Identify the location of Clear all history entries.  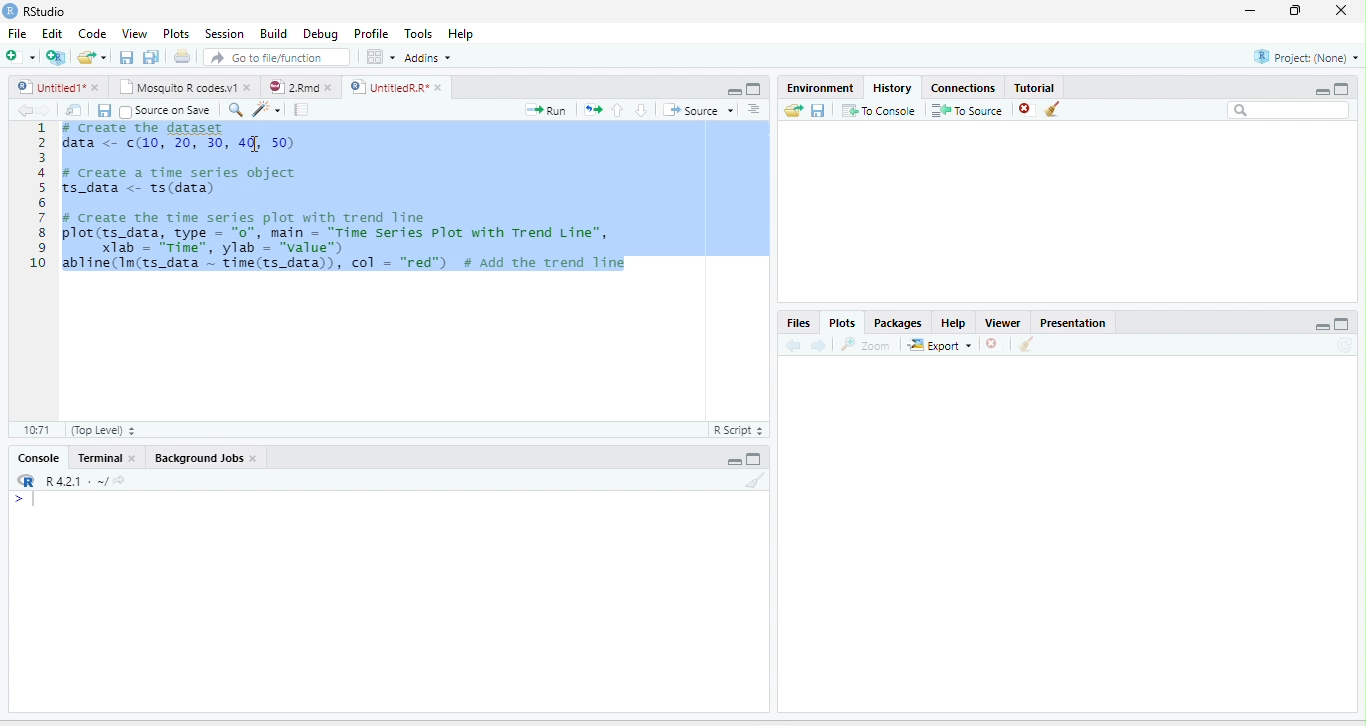
(1053, 109).